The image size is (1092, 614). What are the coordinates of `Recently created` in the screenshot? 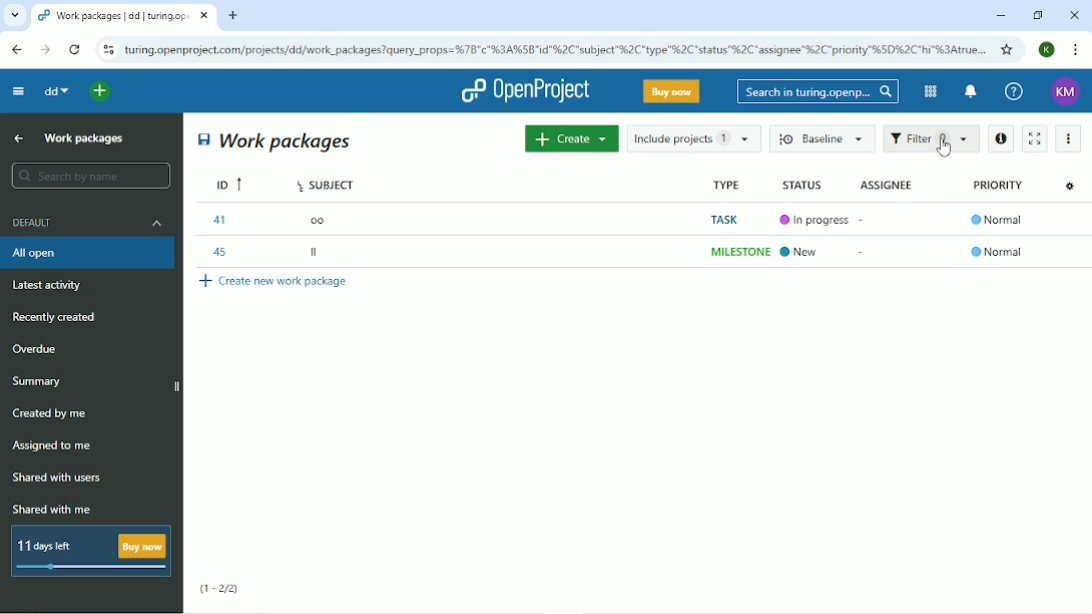 It's located at (58, 317).